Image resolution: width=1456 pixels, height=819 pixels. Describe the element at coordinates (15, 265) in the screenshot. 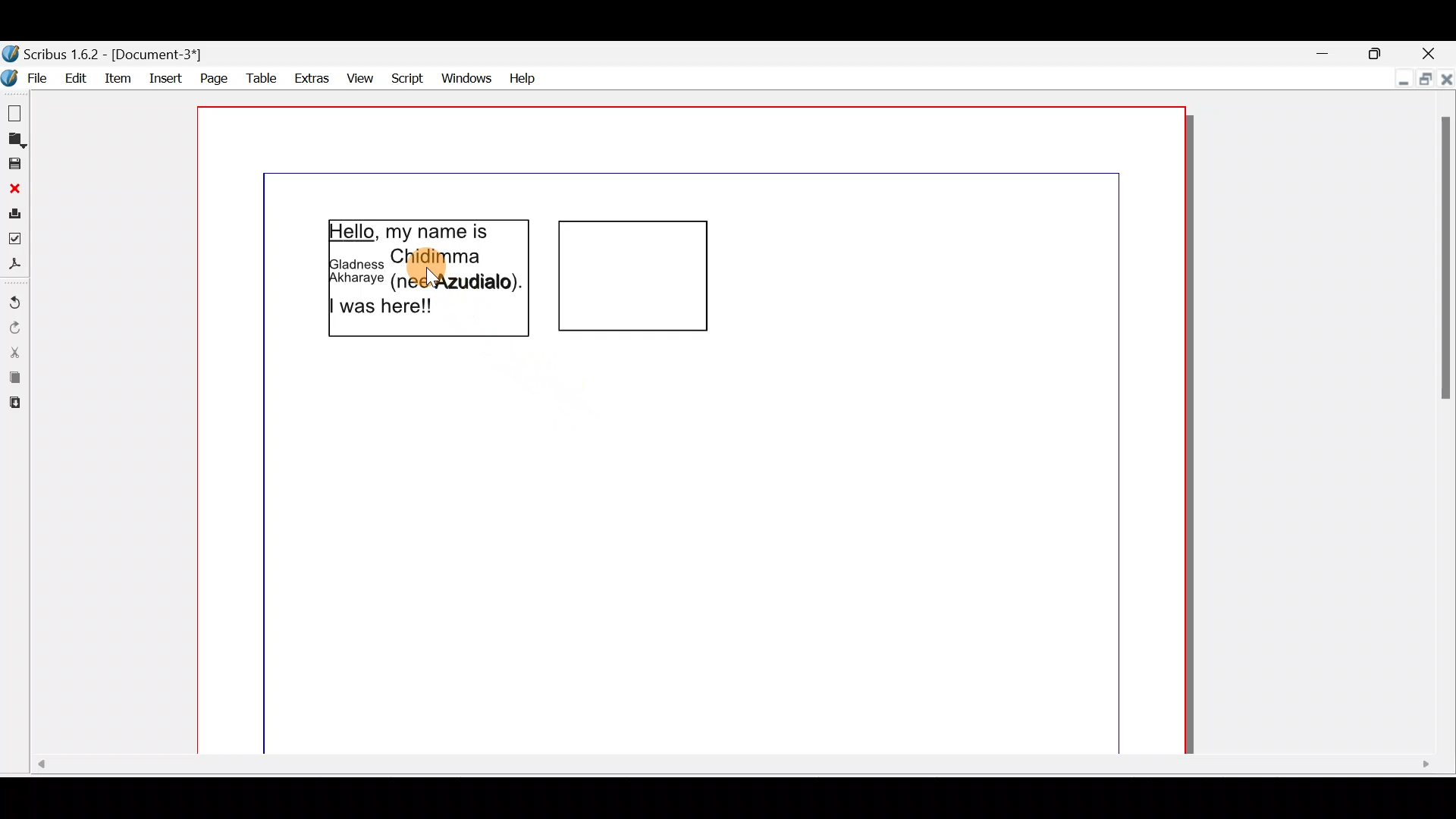

I see `Save as PDF` at that location.